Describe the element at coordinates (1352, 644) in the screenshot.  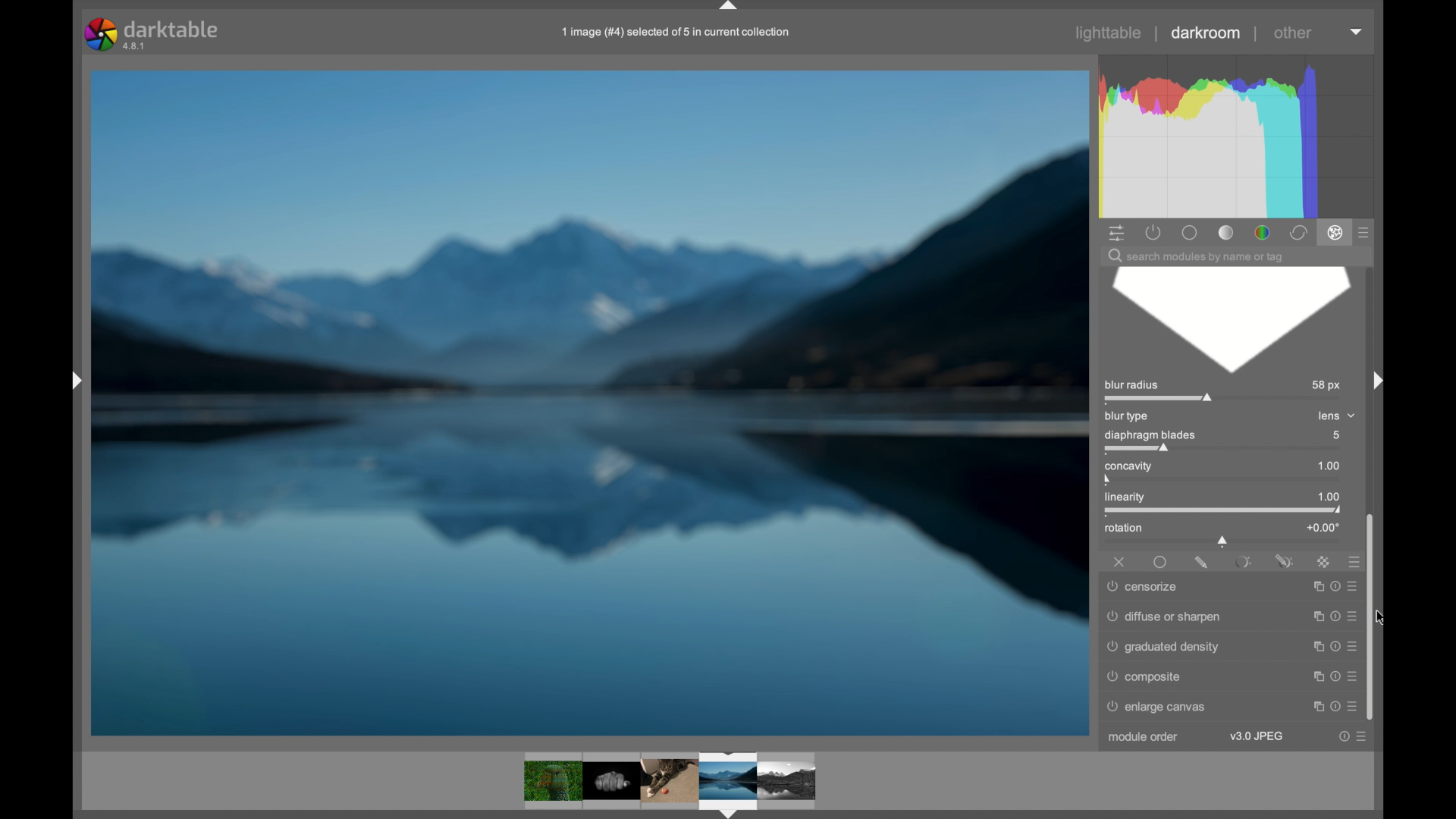
I see `more options` at that location.